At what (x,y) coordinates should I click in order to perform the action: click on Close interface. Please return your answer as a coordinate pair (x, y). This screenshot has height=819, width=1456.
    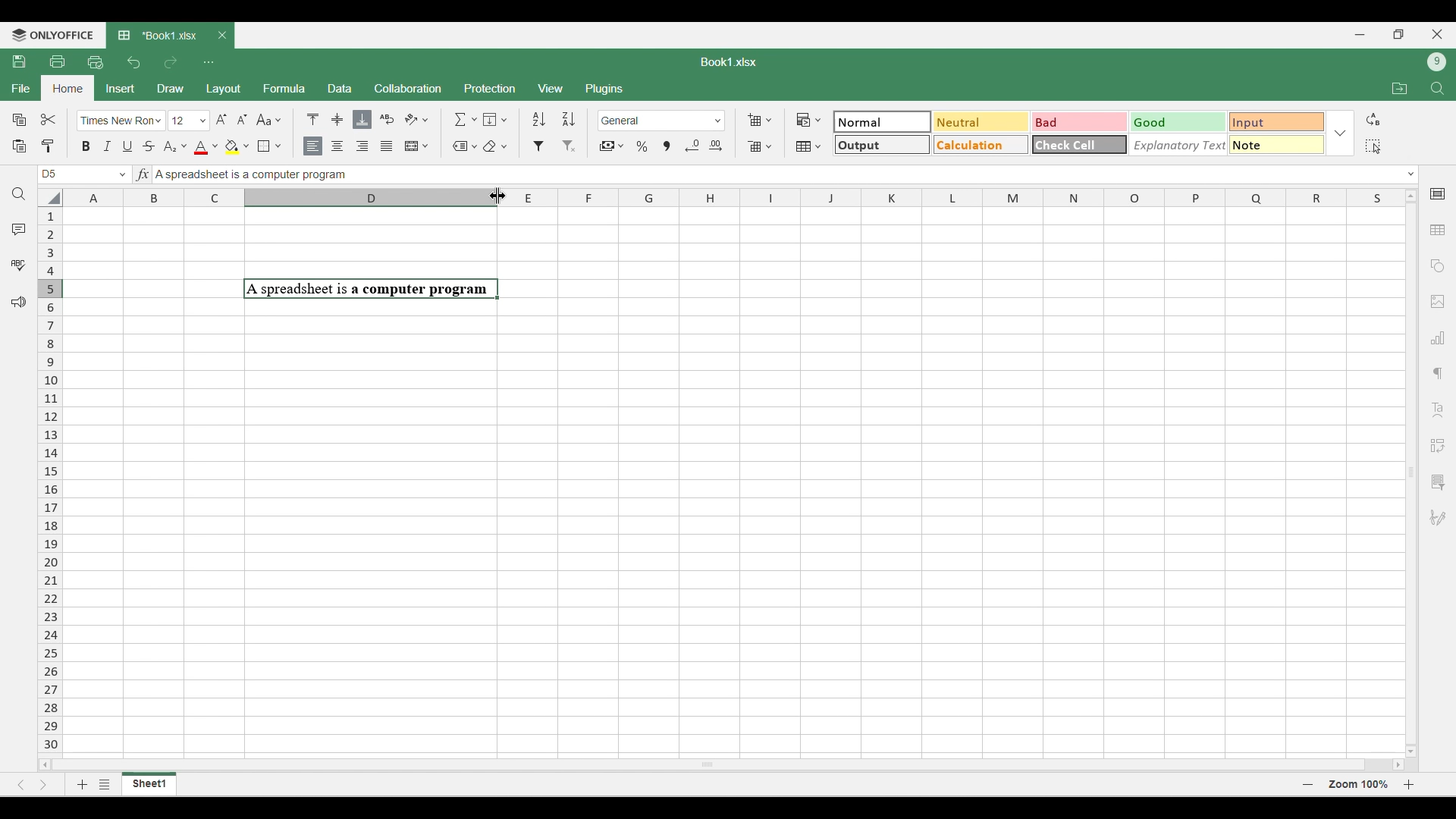
    Looking at the image, I should click on (1437, 34).